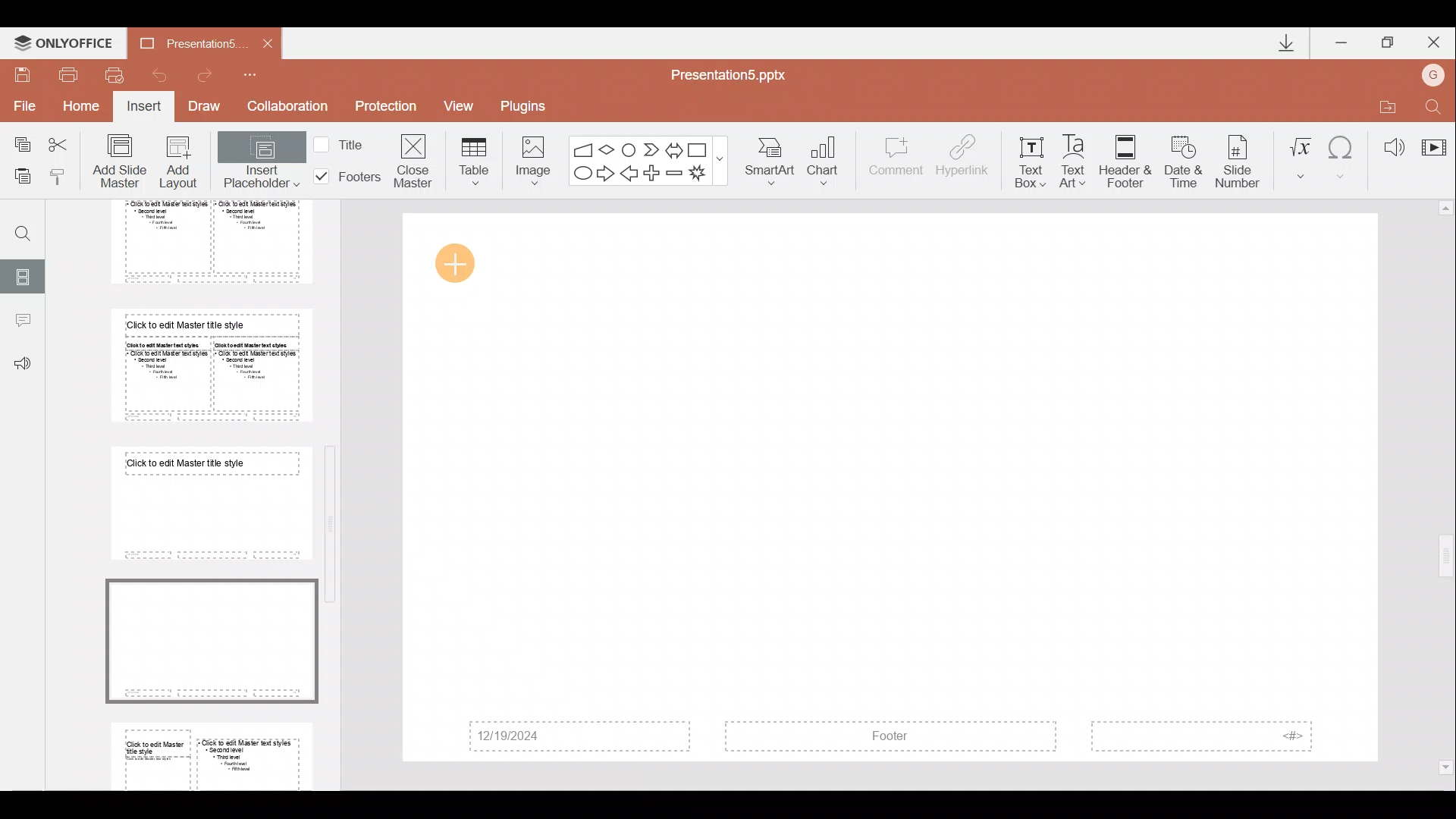  Describe the element at coordinates (343, 143) in the screenshot. I see `Title` at that location.